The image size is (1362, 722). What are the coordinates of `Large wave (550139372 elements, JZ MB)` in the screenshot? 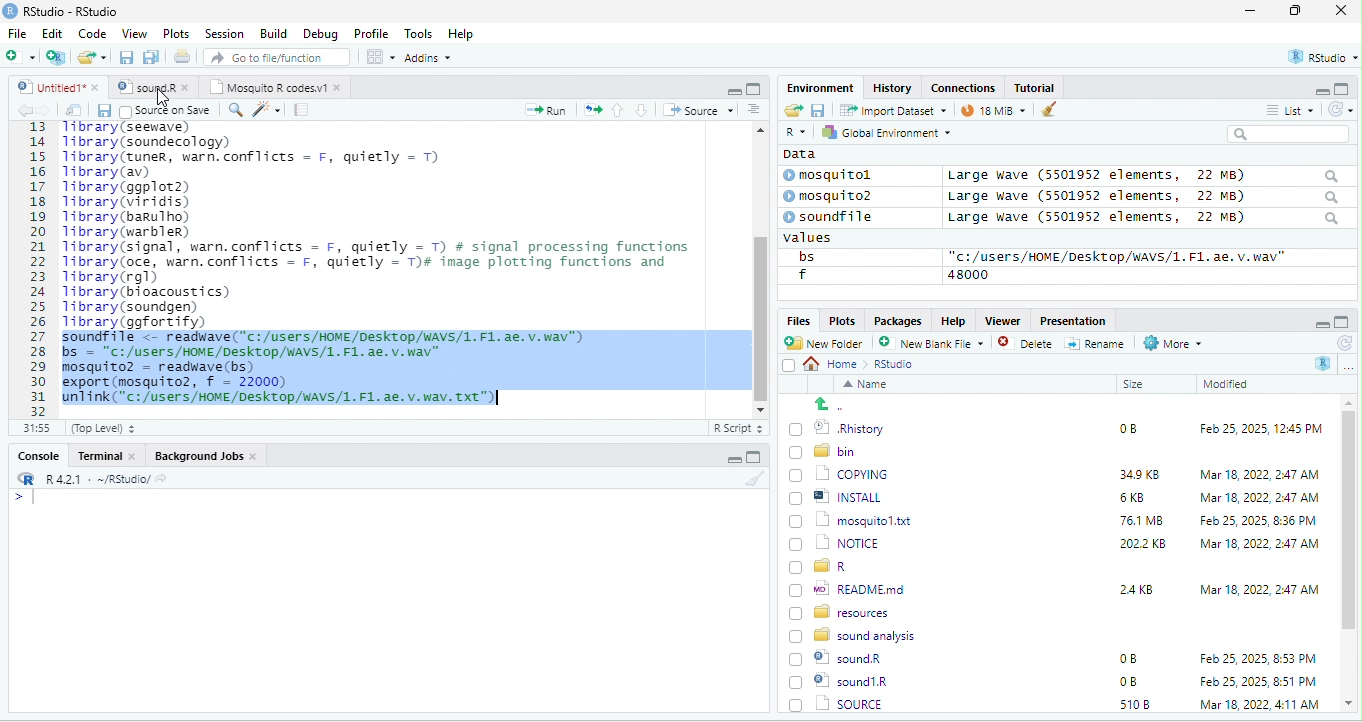 It's located at (1145, 196).